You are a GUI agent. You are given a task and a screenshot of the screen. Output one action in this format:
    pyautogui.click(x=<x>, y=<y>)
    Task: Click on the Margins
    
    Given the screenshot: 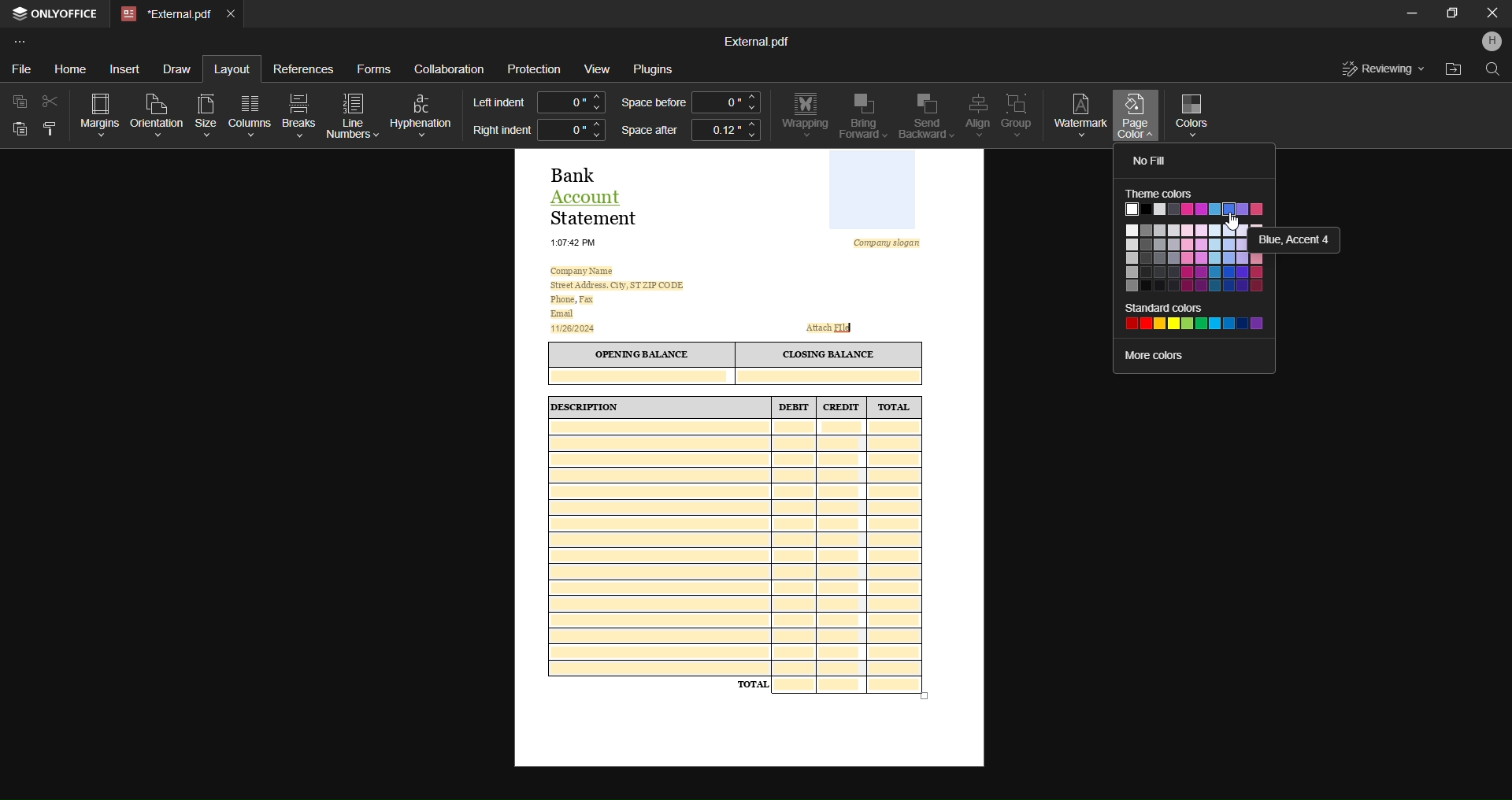 What is the action you would take?
    pyautogui.click(x=94, y=113)
    